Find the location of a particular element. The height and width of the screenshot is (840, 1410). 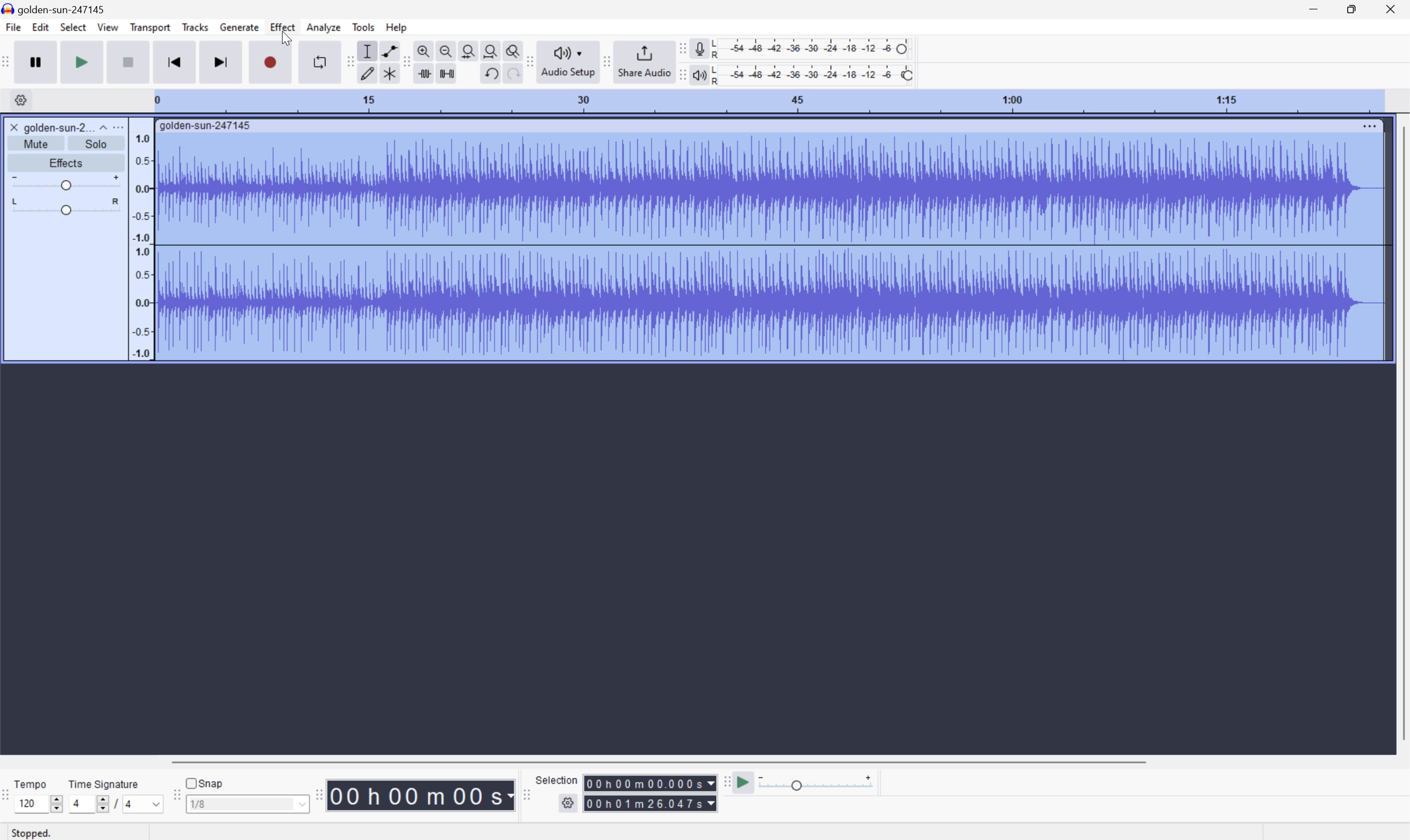

Audacity Time toolbar is located at coordinates (317, 795).